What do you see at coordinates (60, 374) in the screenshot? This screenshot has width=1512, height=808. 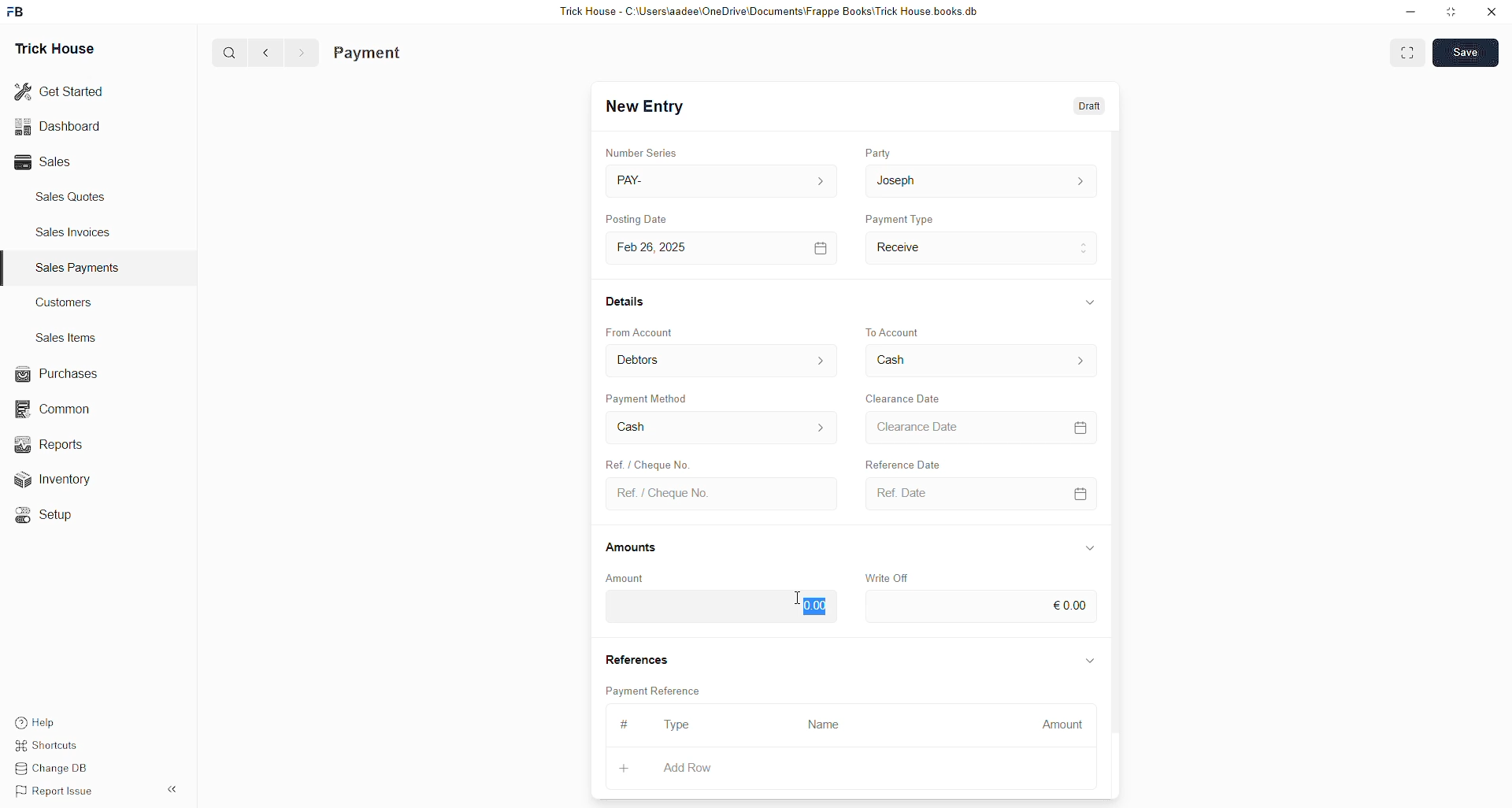 I see `Purchases` at bounding box center [60, 374].